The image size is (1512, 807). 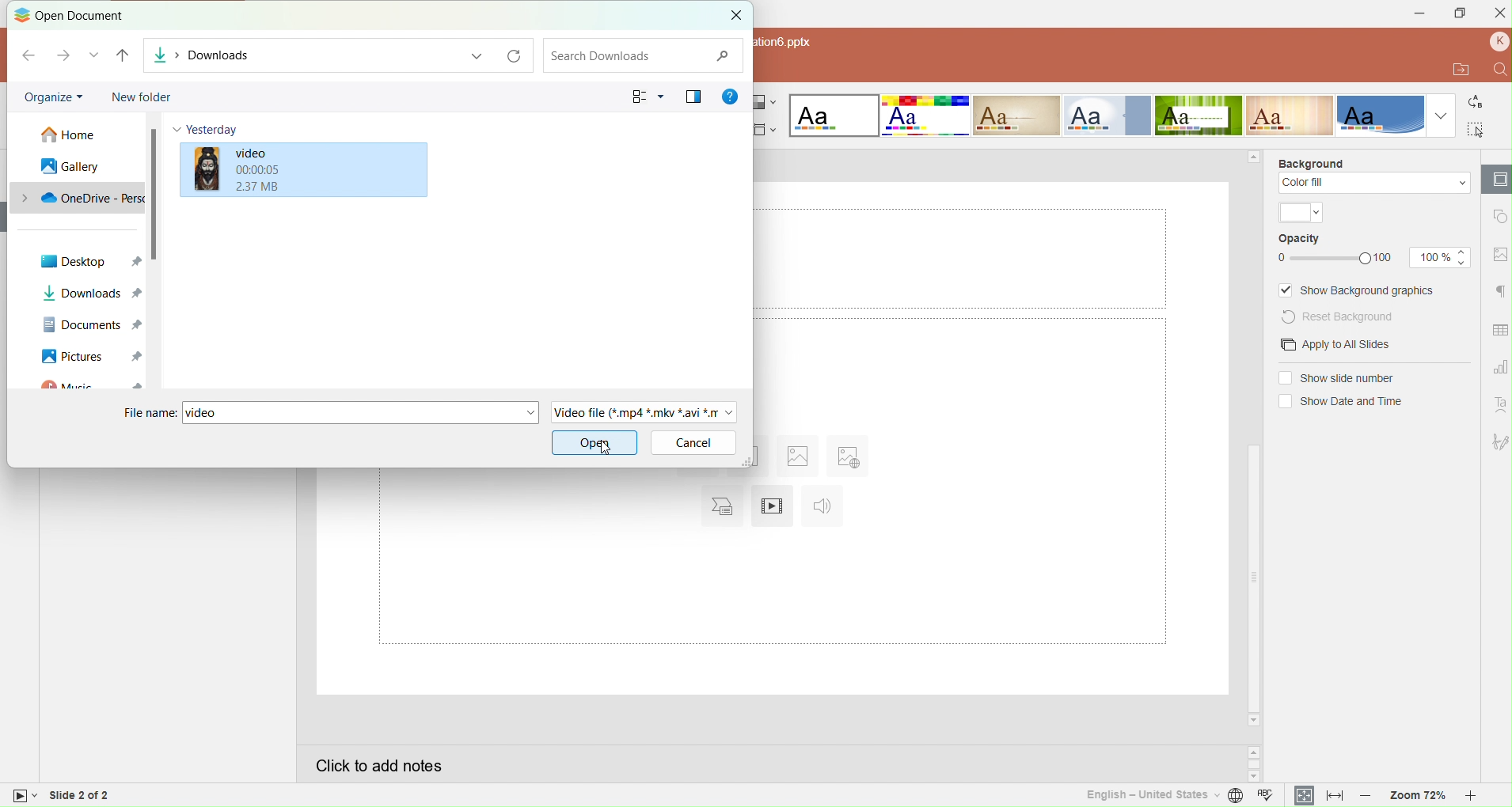 What do you see at coordinates (800, 457) in the screenshot?
I see `Insert image from file` at bounding box center [800, 457].